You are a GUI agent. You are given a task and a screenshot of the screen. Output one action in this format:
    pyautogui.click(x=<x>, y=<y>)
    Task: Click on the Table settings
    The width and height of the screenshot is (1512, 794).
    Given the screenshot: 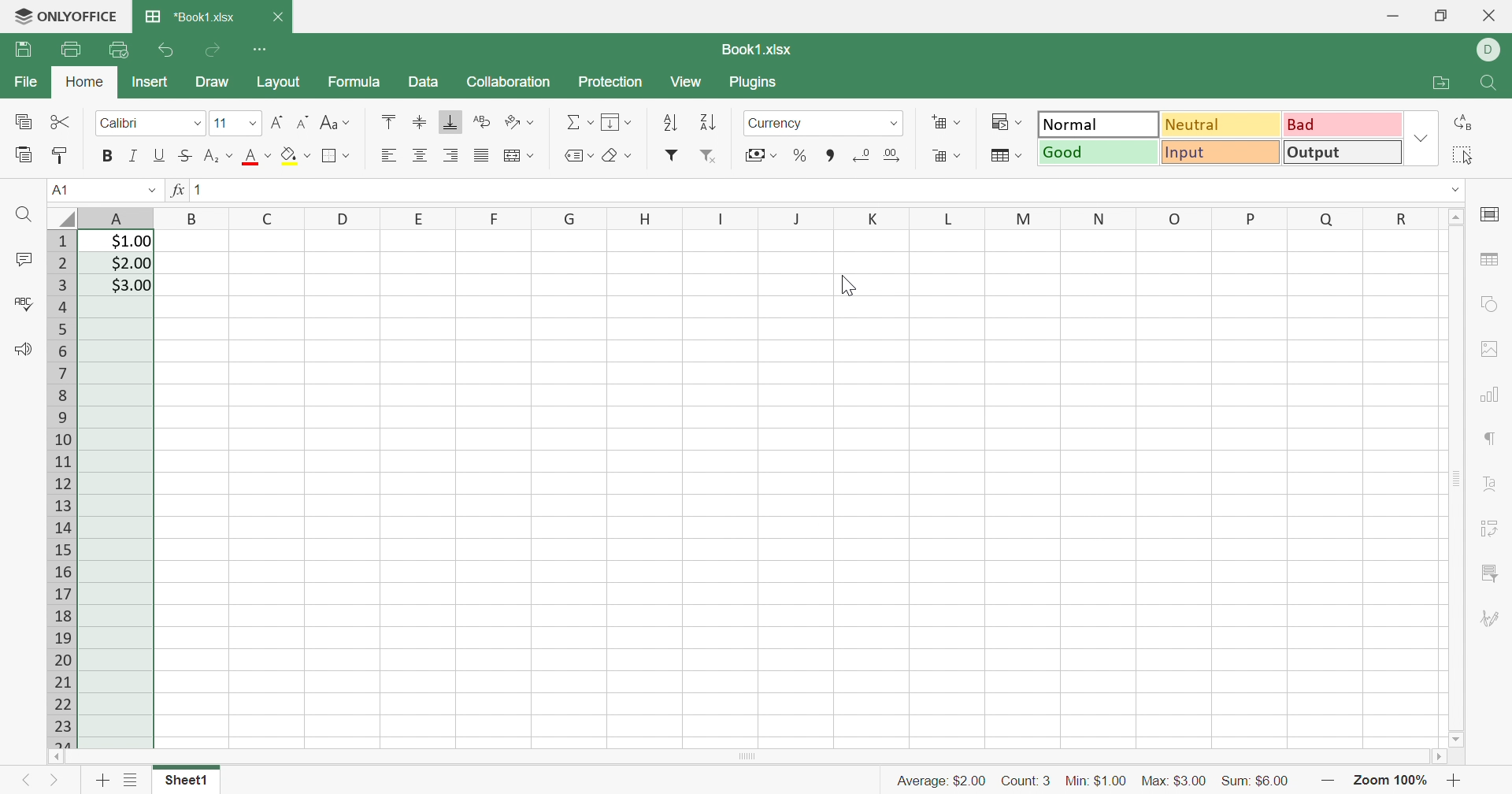 What is the action you would take?
    pyautogui.click(x=1488, y=259)
    